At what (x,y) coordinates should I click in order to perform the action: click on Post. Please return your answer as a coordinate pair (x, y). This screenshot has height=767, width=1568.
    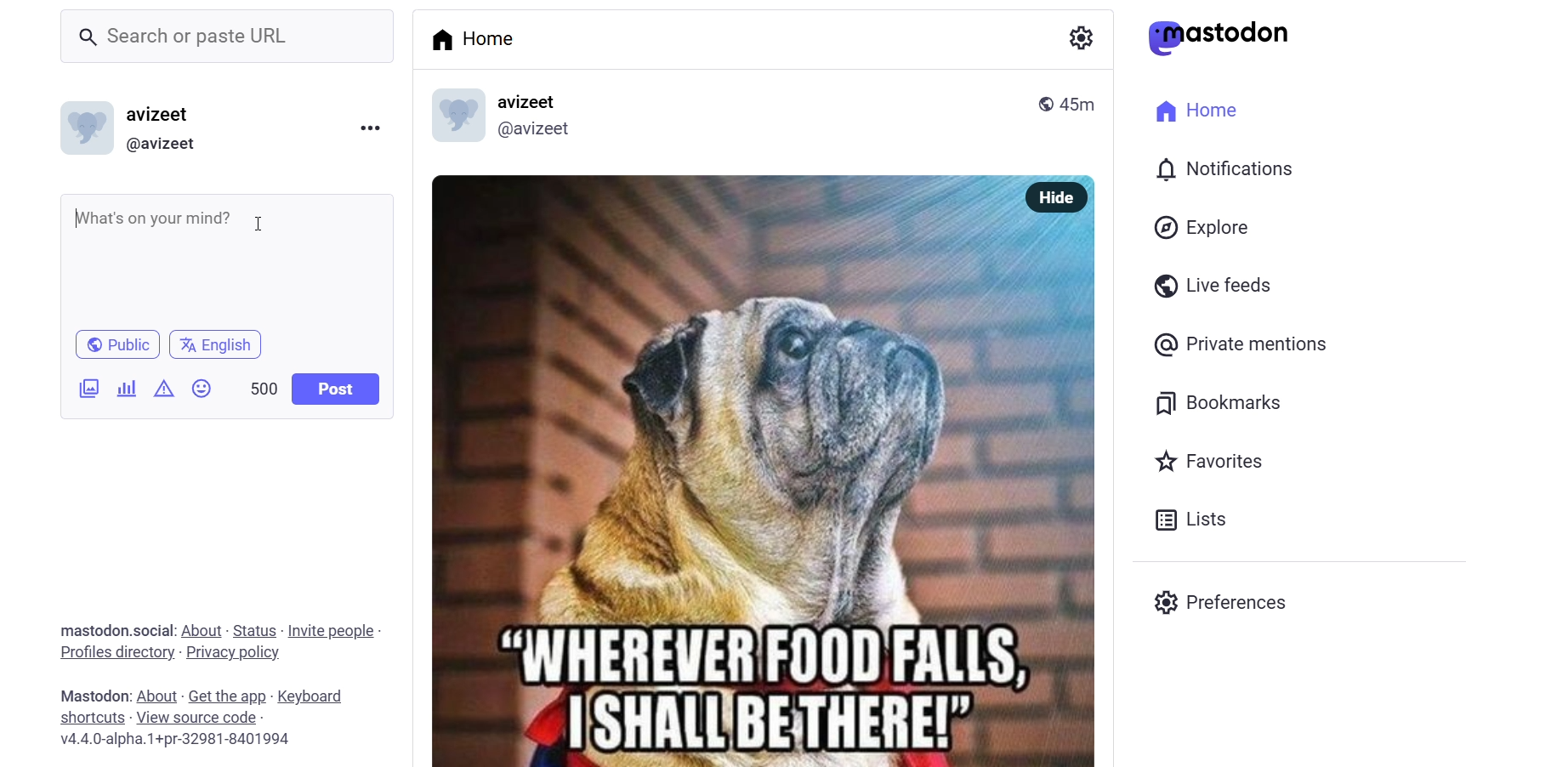
    Looking at the image, I should click on (338, 389).